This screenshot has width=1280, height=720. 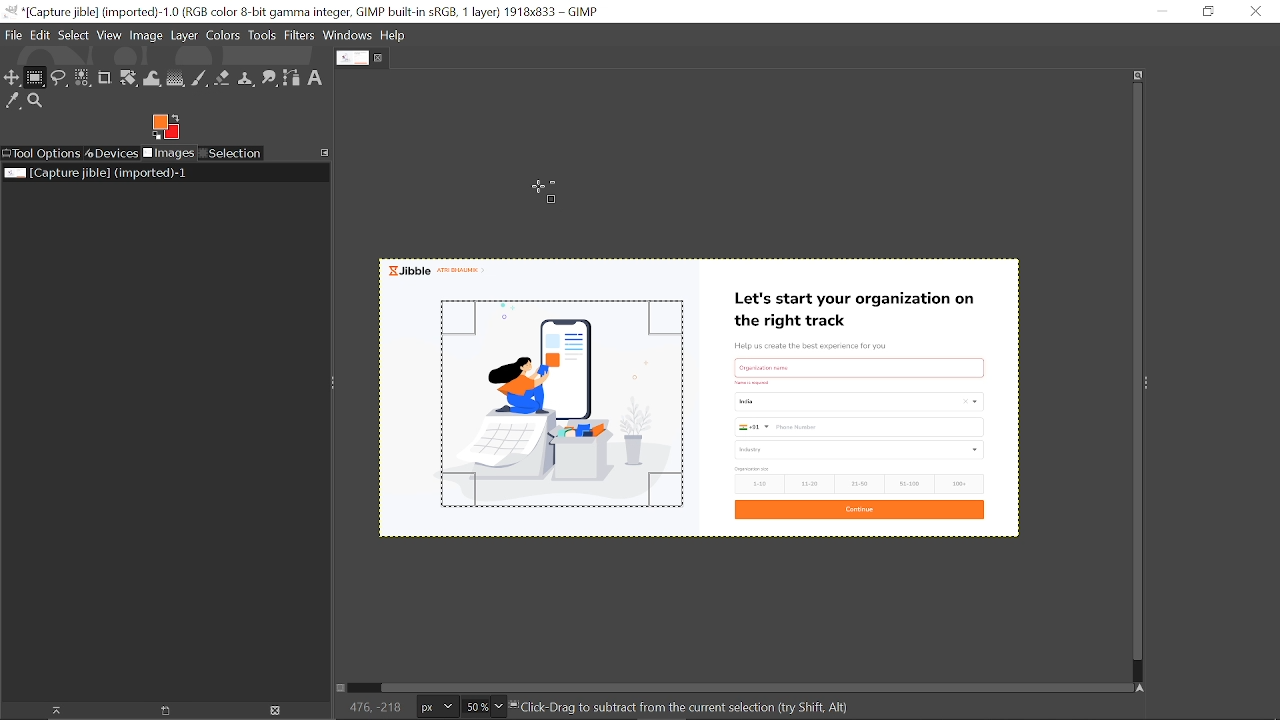 What do you see at coordinates (1138, 75) in the screenshot?
I see `Zoom when window size changes` at bounding box center [1138, 75].